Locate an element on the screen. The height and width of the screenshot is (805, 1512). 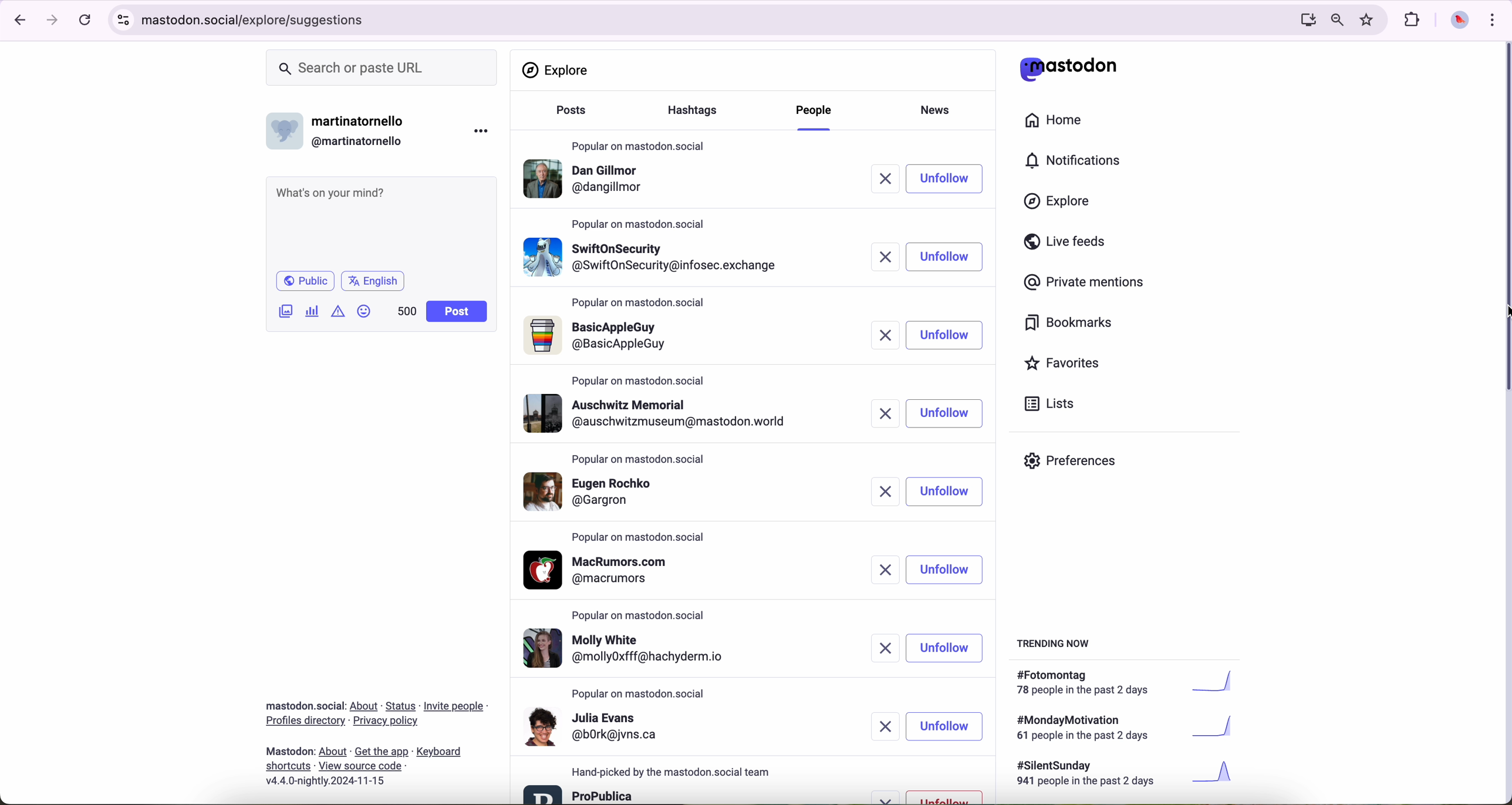
follow is located at coordinates (950, 257).